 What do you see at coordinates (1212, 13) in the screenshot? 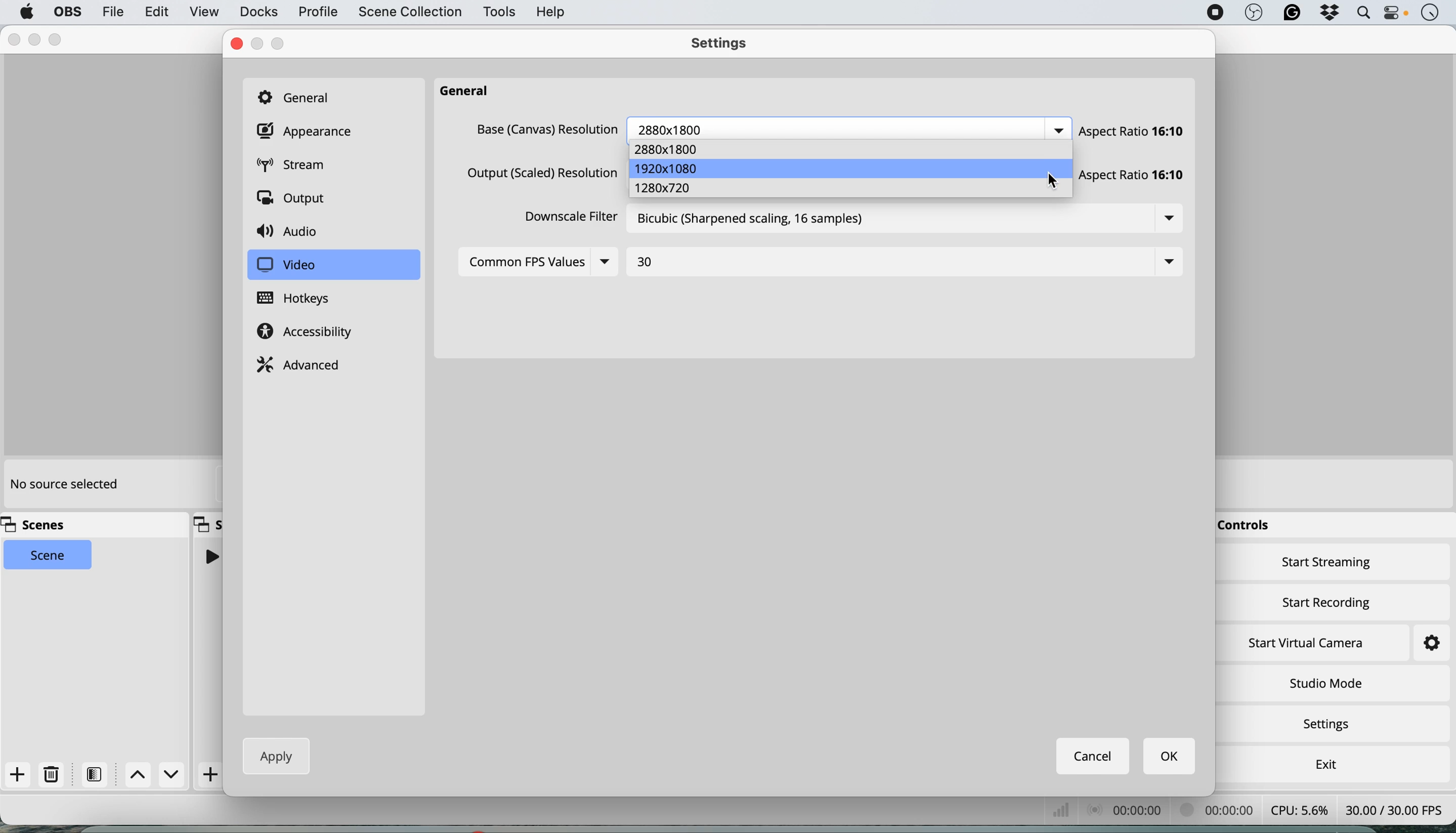
I see `screen recorder` at bounding box center [1212, 13].